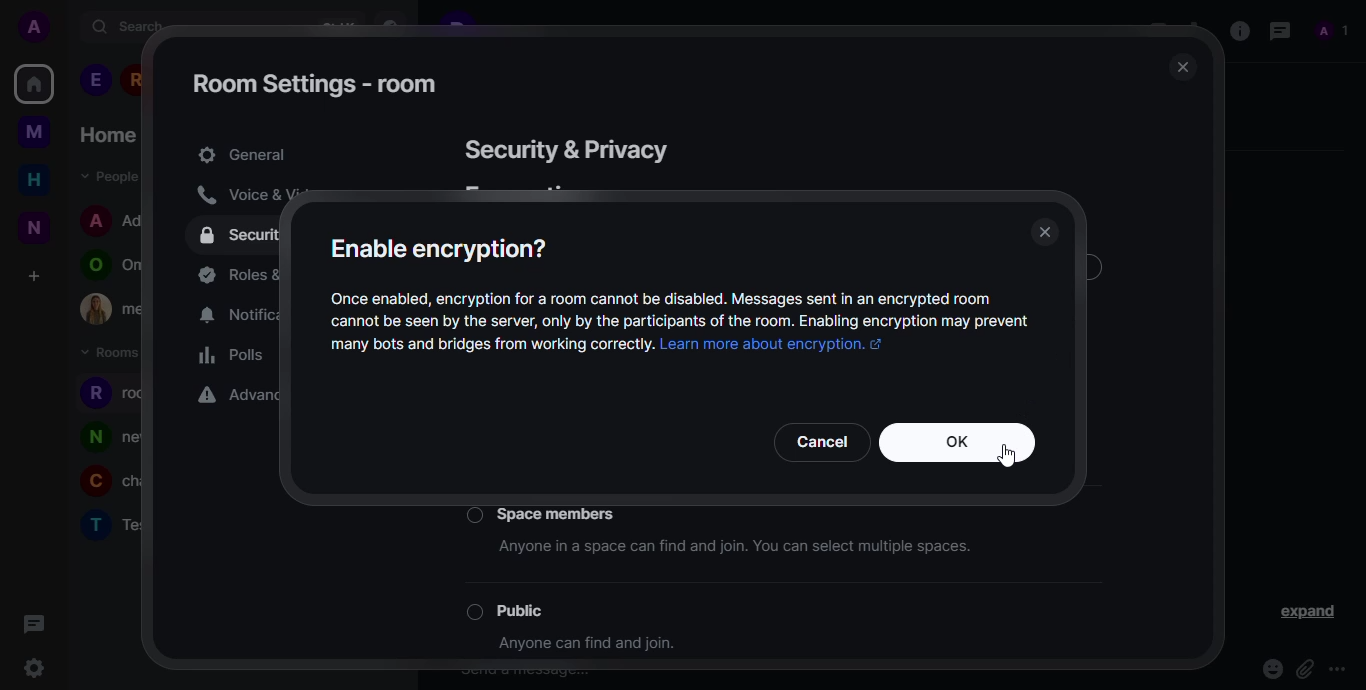  I want to click on enable encrytion?, so click(443, 247).